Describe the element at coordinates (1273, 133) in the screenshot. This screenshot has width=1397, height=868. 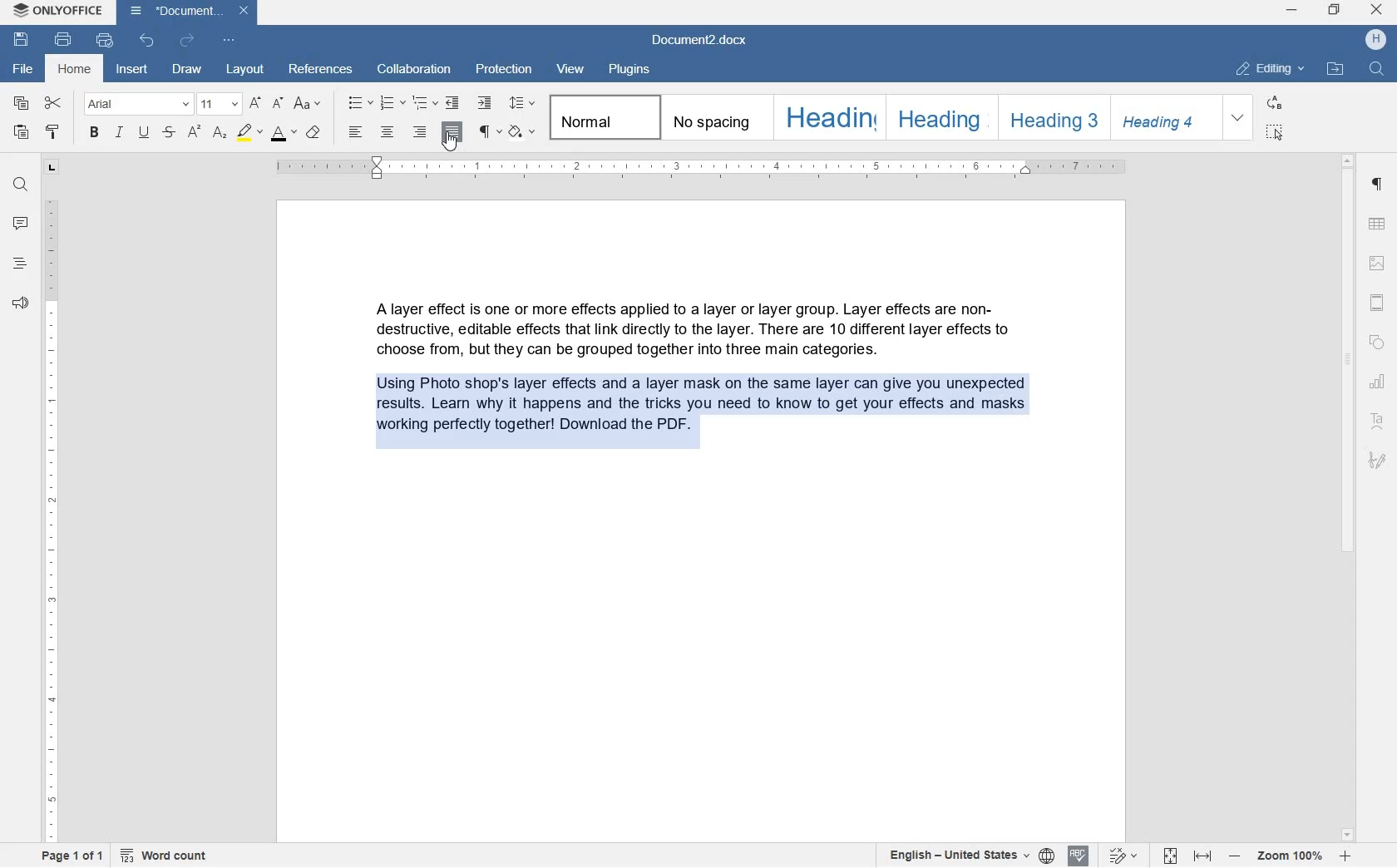
I see `SELECT ALL` at that location.